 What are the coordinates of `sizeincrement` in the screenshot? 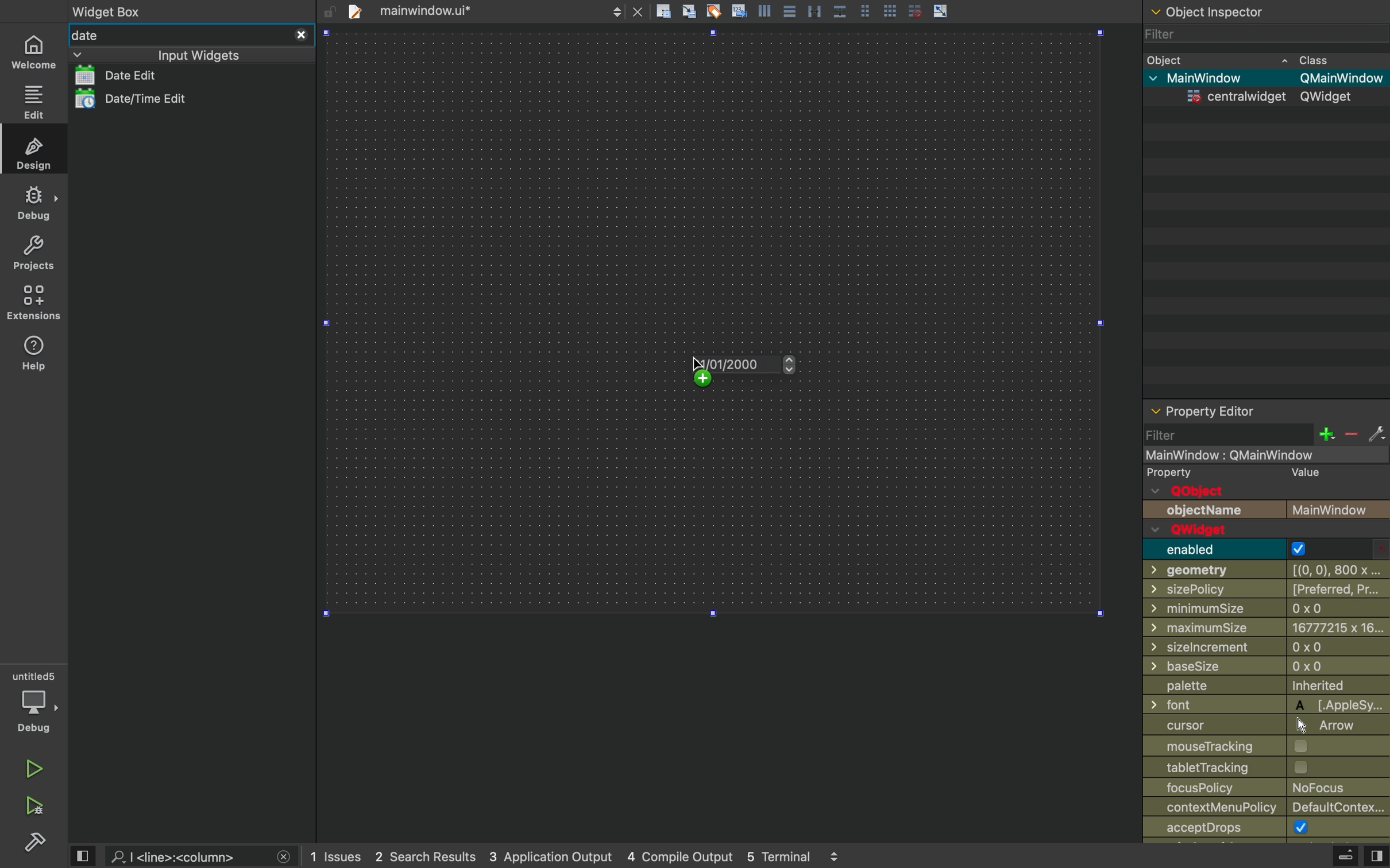 It's located at (1267, 649).